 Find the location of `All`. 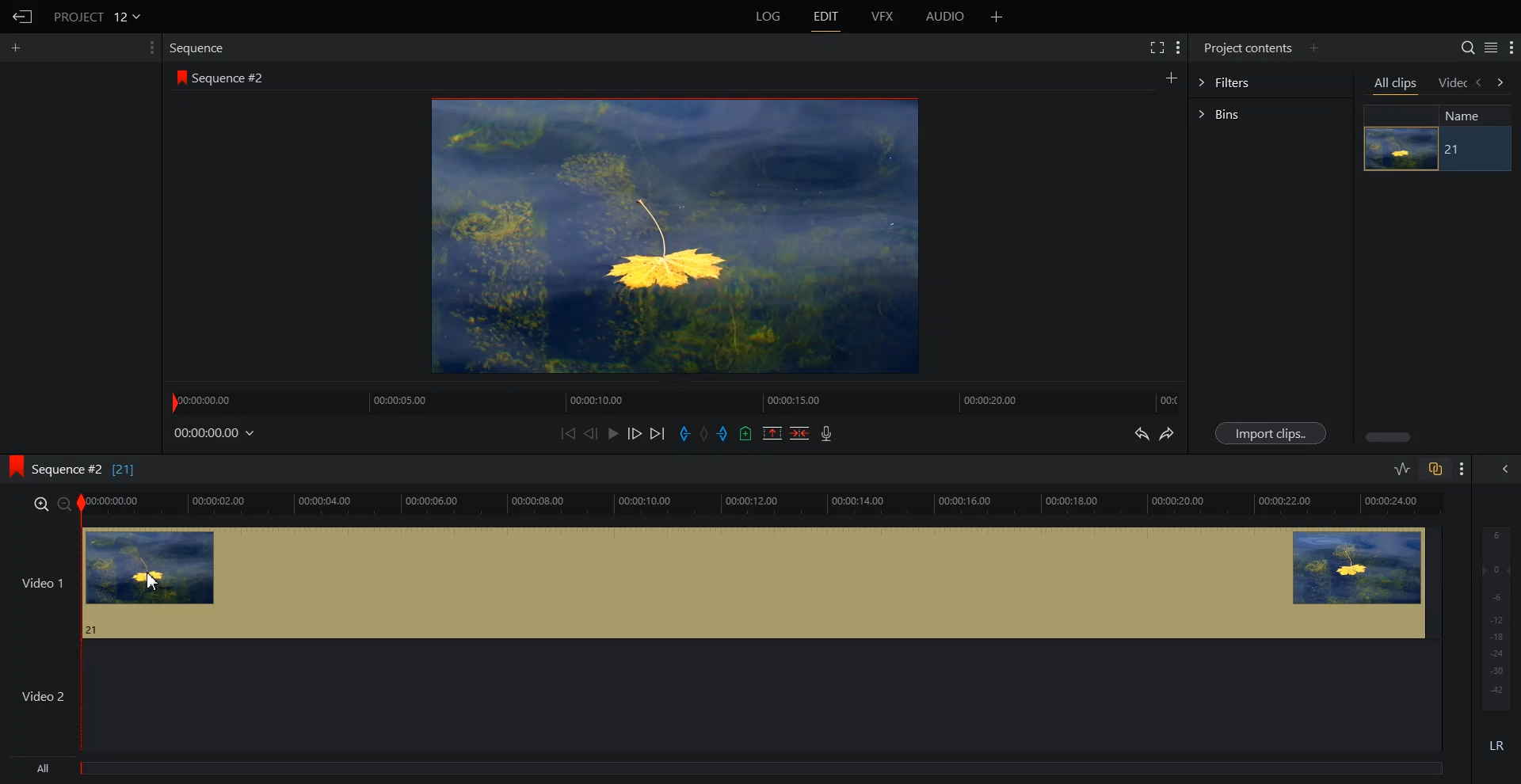

All is located at coordinates (731, 771).